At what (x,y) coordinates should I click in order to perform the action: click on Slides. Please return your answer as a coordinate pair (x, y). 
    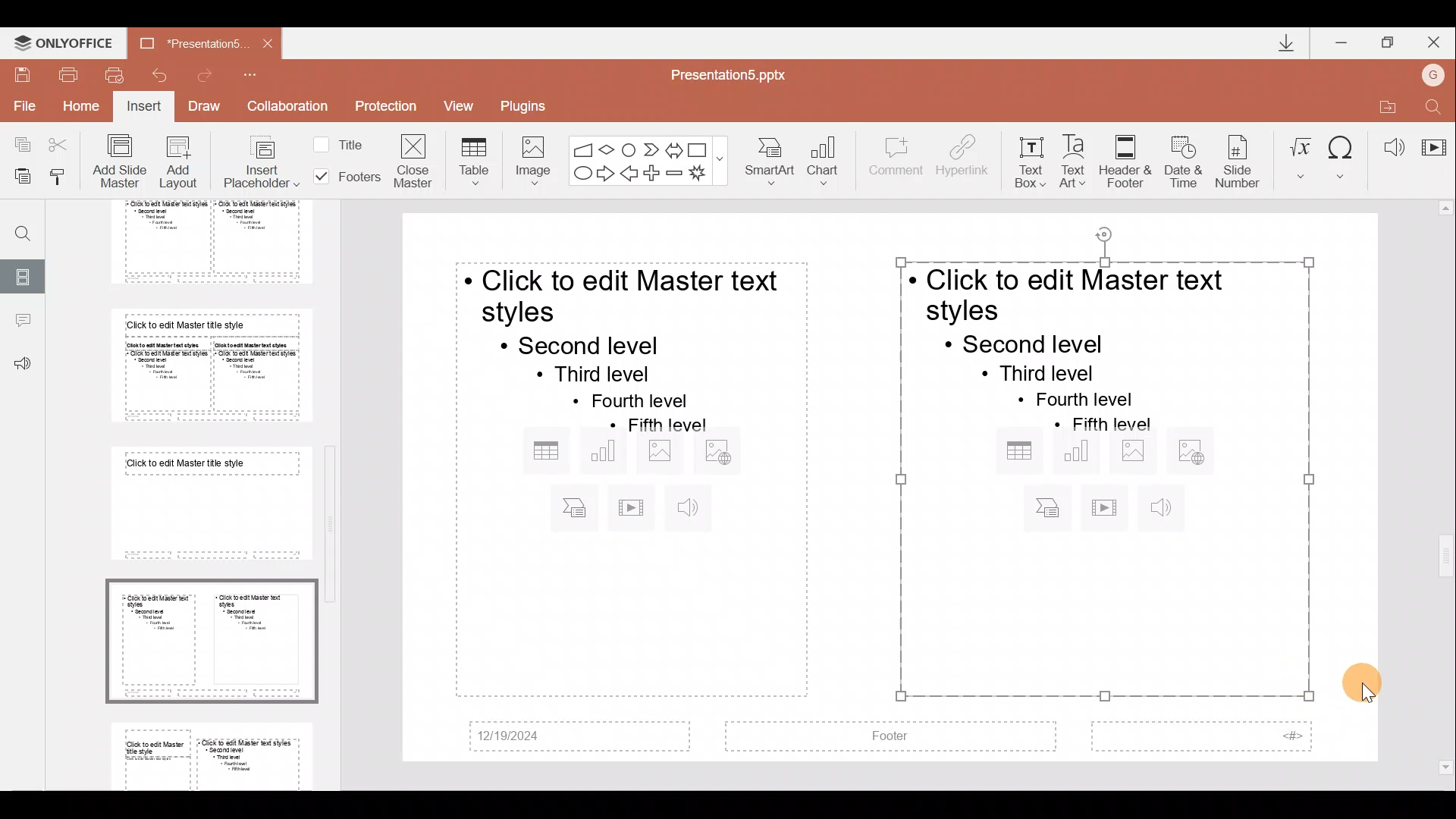
    Looking at the image, I should click on (24, 275).